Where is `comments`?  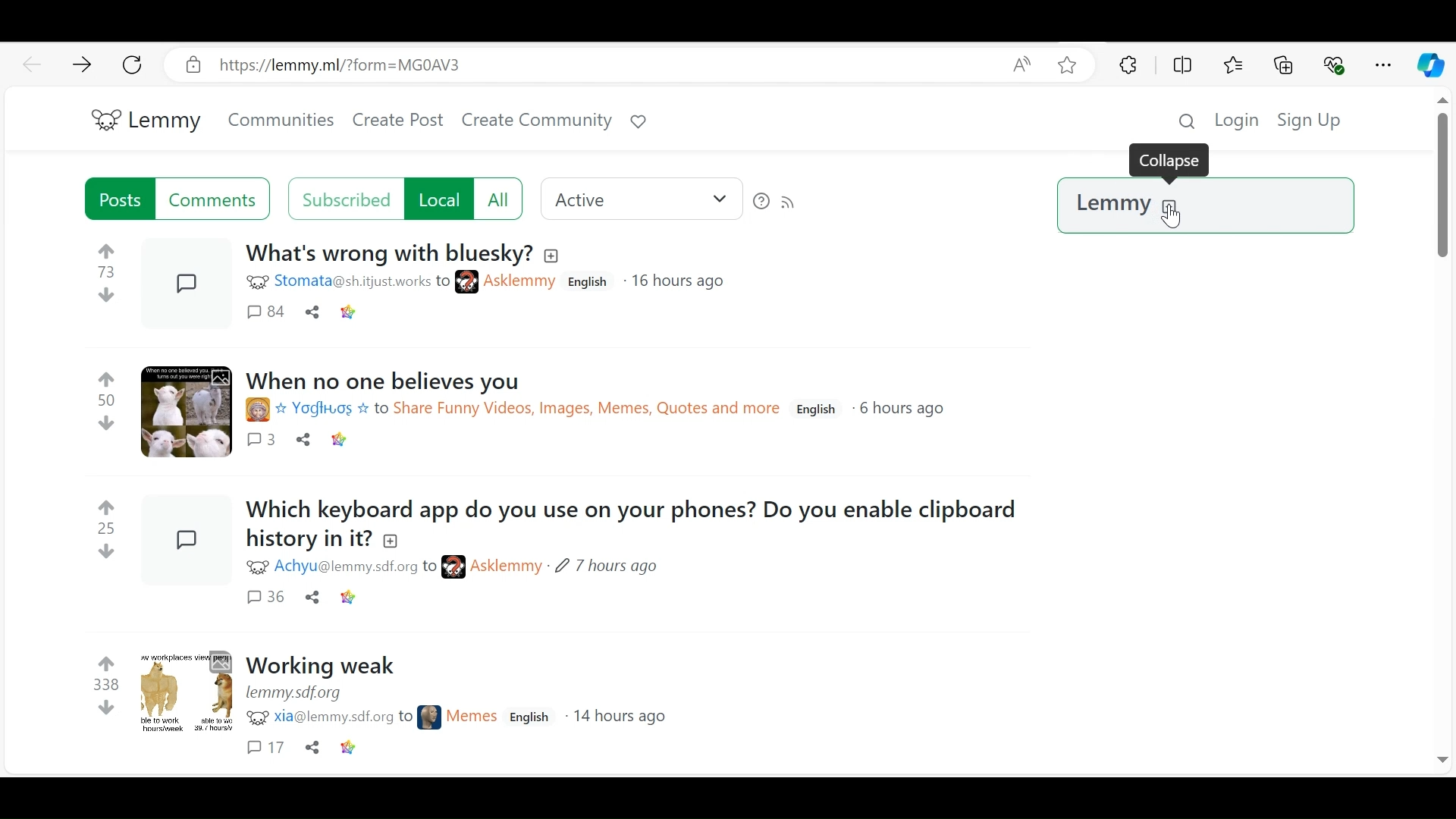
comments is located at coordinates (265, 311).